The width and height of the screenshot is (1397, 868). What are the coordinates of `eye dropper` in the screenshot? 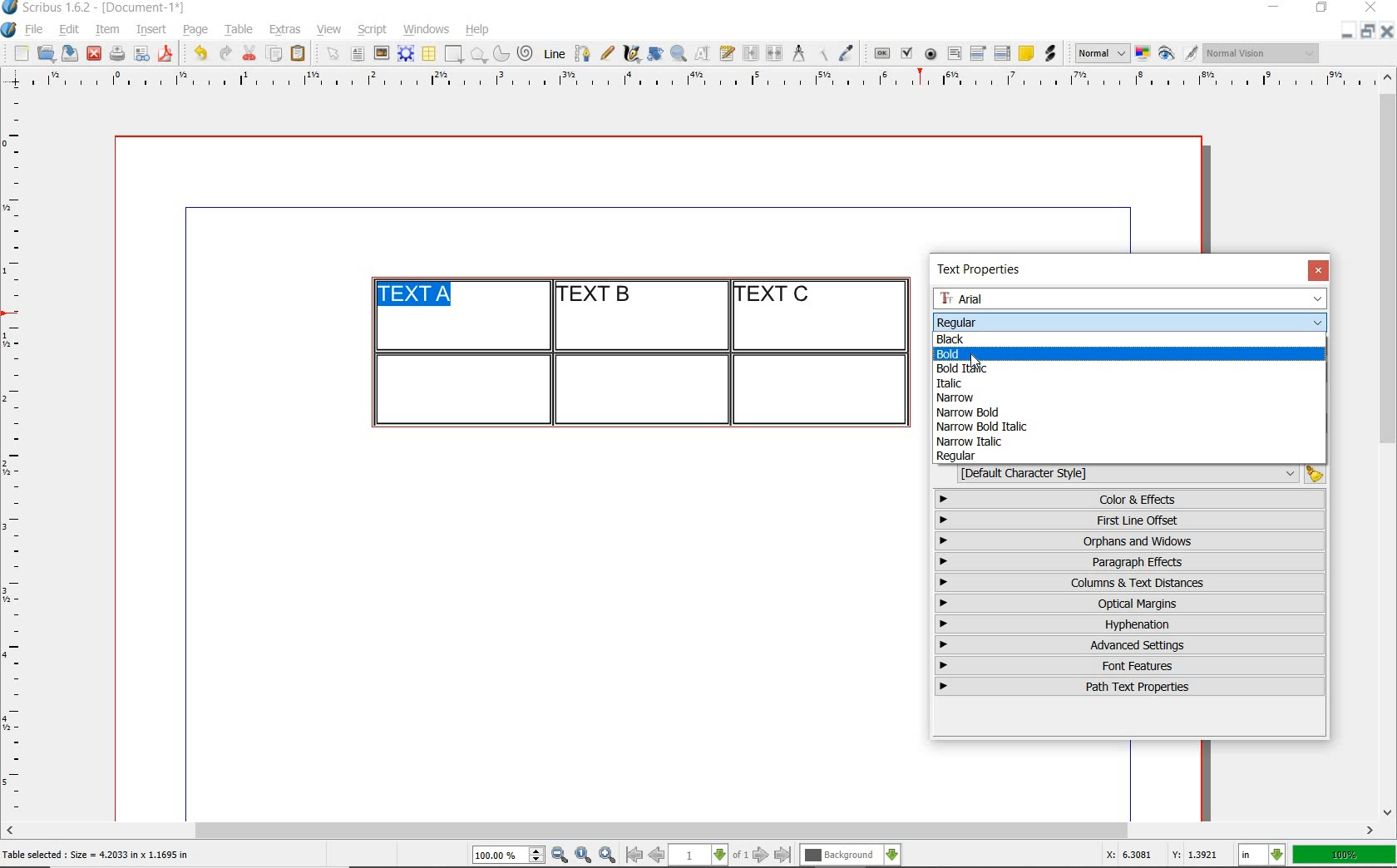 It's located at (846, 55).